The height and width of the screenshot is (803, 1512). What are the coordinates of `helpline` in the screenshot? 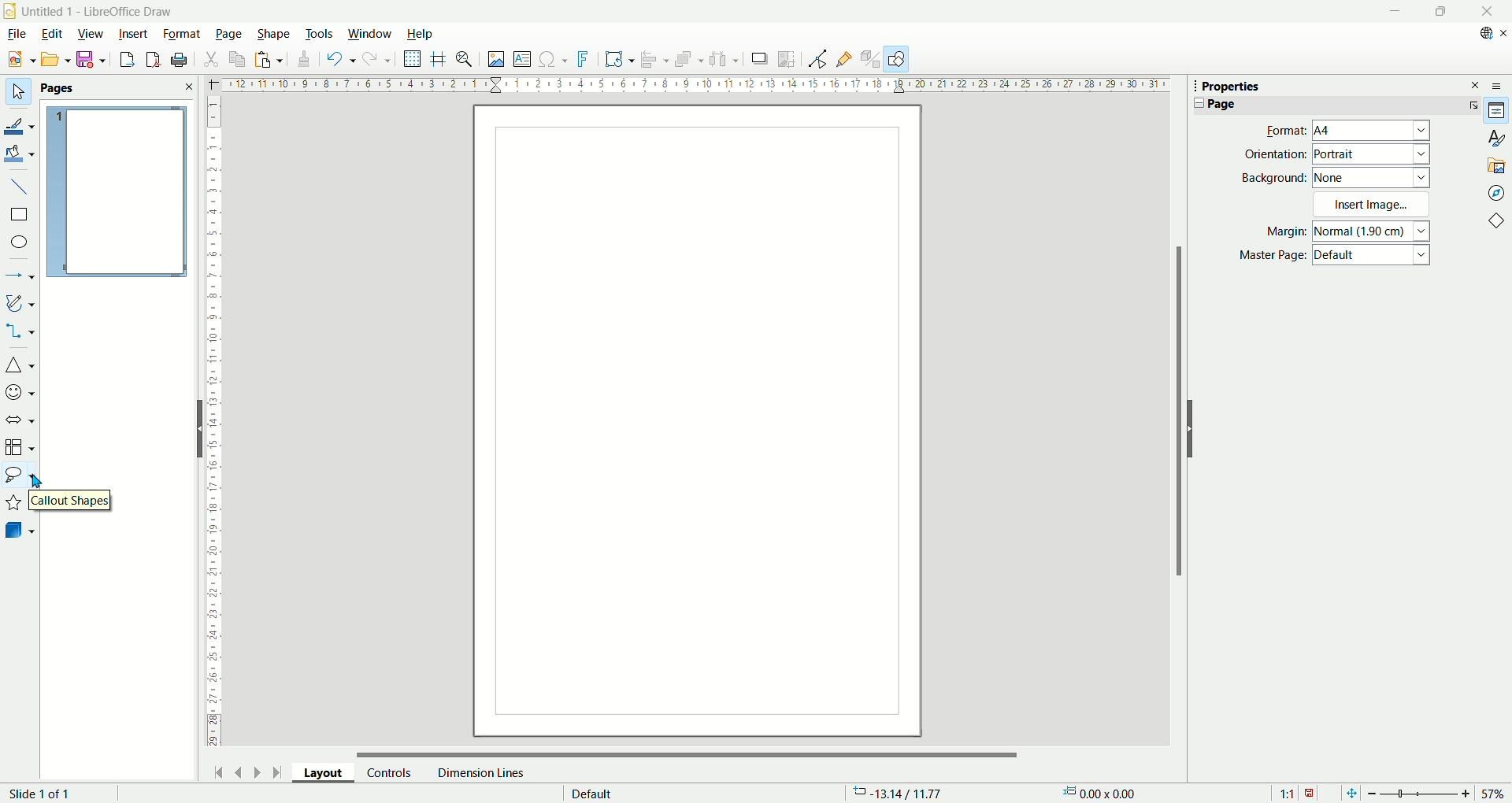 It's located at (439, 59).